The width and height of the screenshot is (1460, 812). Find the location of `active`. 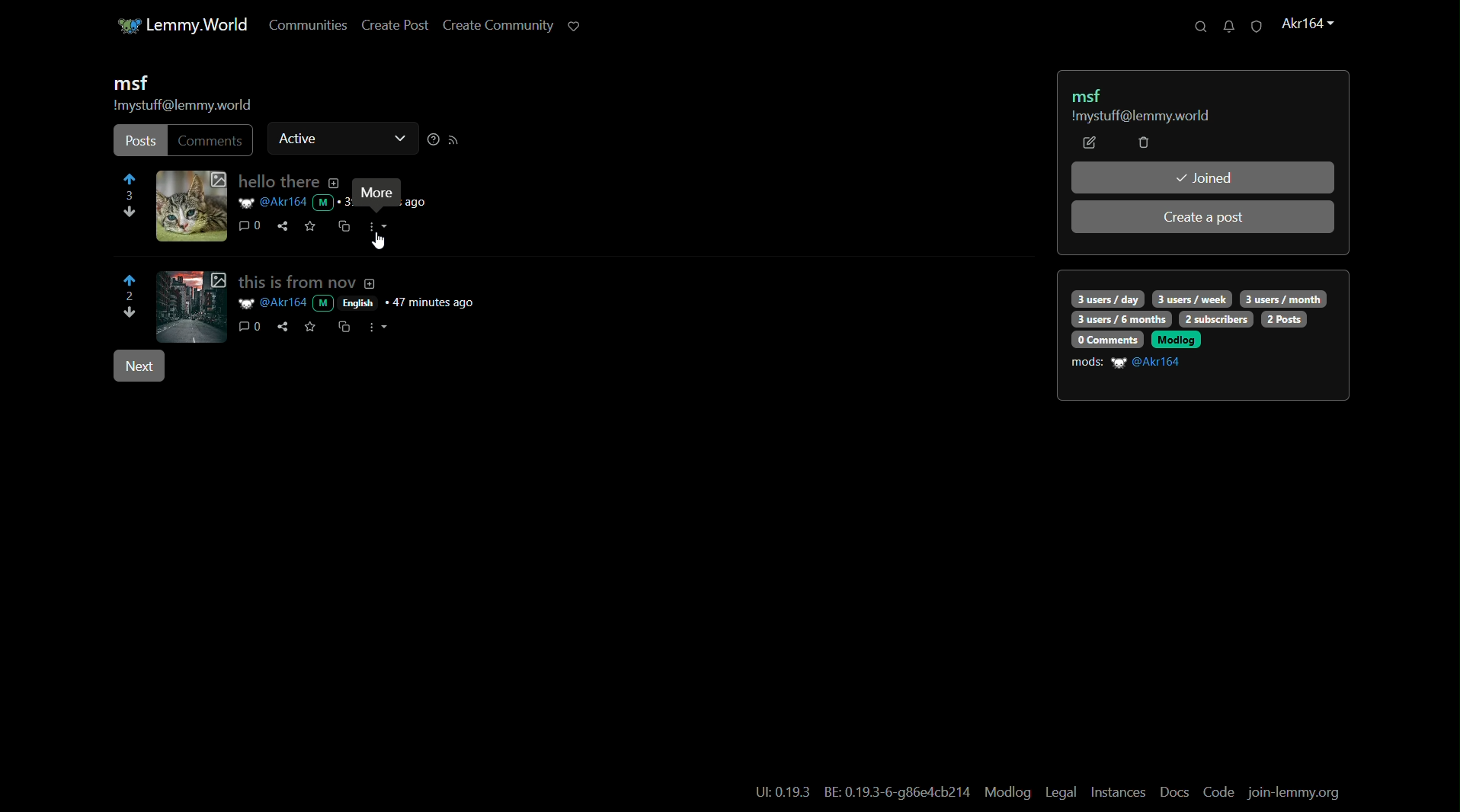

active is located at coordinates (299, 137).